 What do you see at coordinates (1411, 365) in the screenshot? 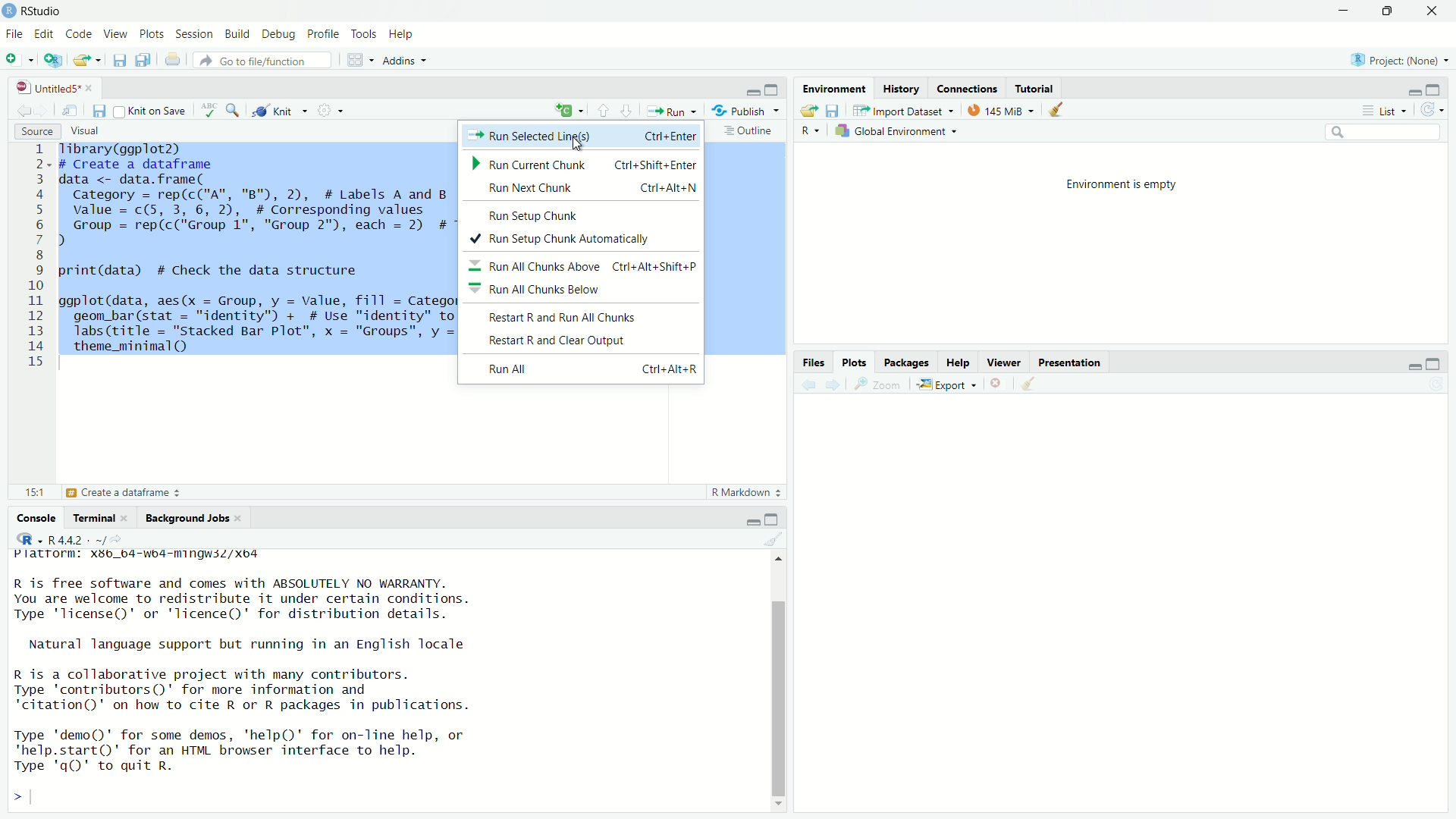
I see `Minimize` at bounding box center [1411, 365].